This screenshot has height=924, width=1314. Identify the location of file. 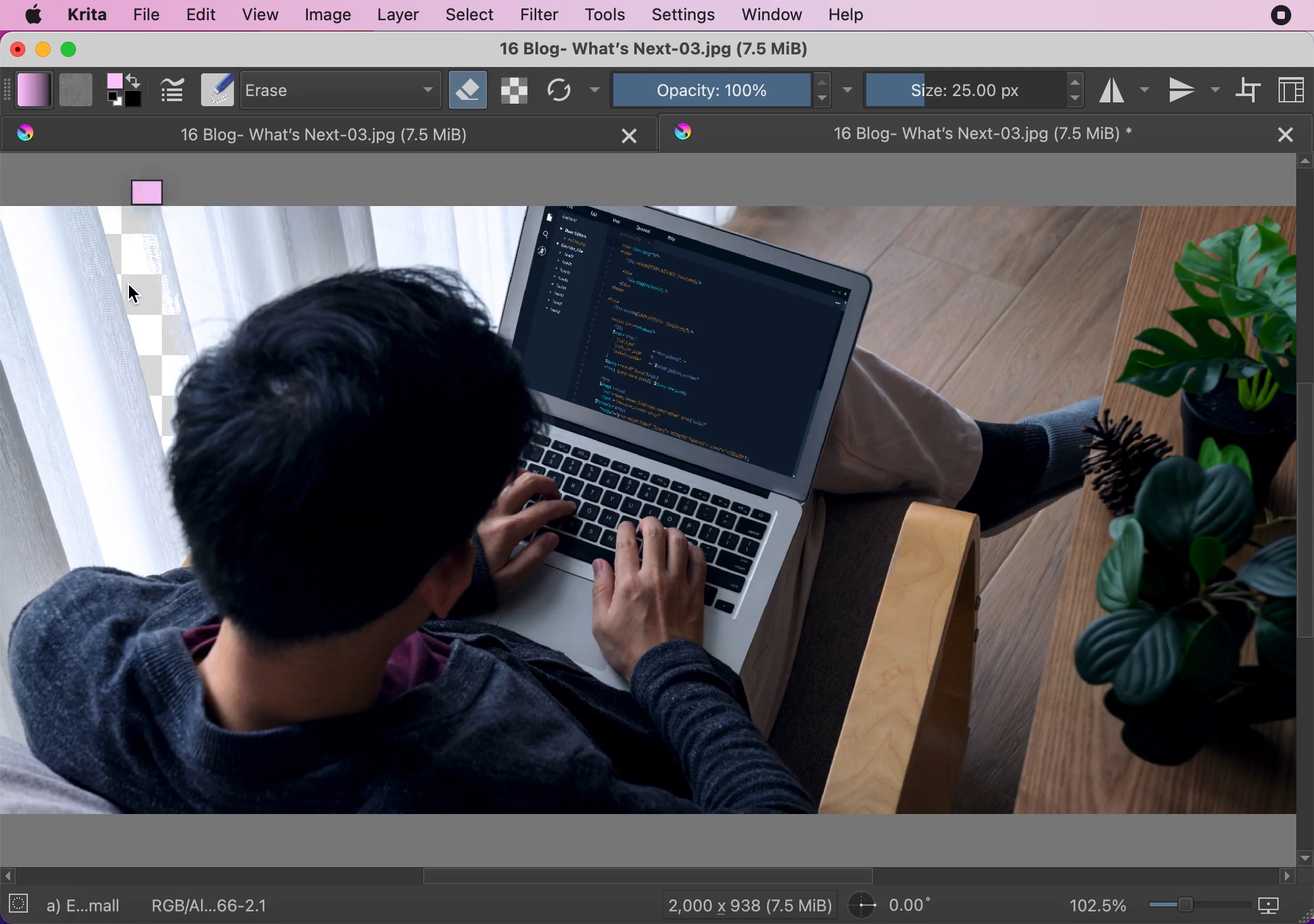
(147, 14).